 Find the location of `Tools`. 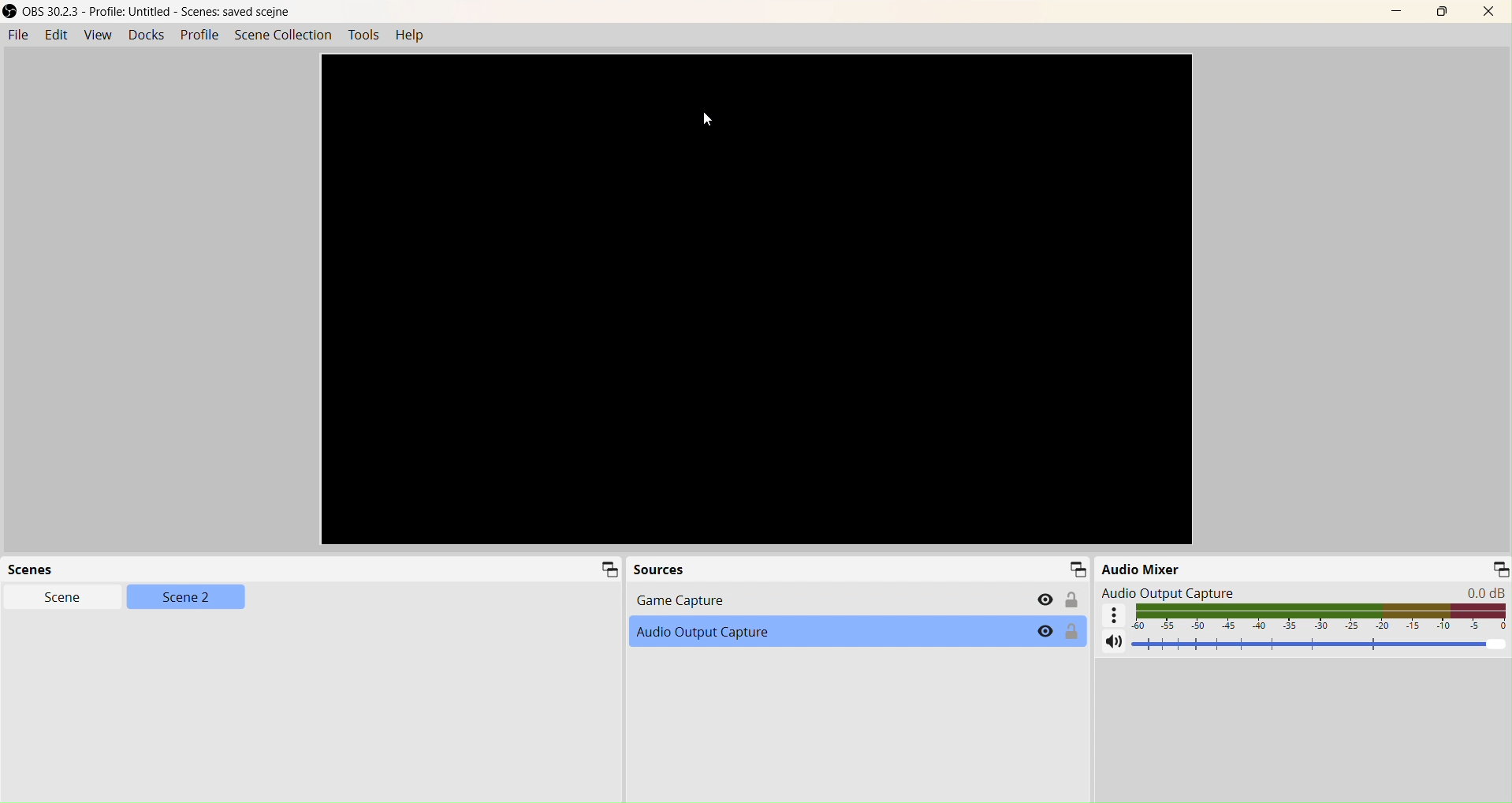

Tools is located at coordinates (363, 36).